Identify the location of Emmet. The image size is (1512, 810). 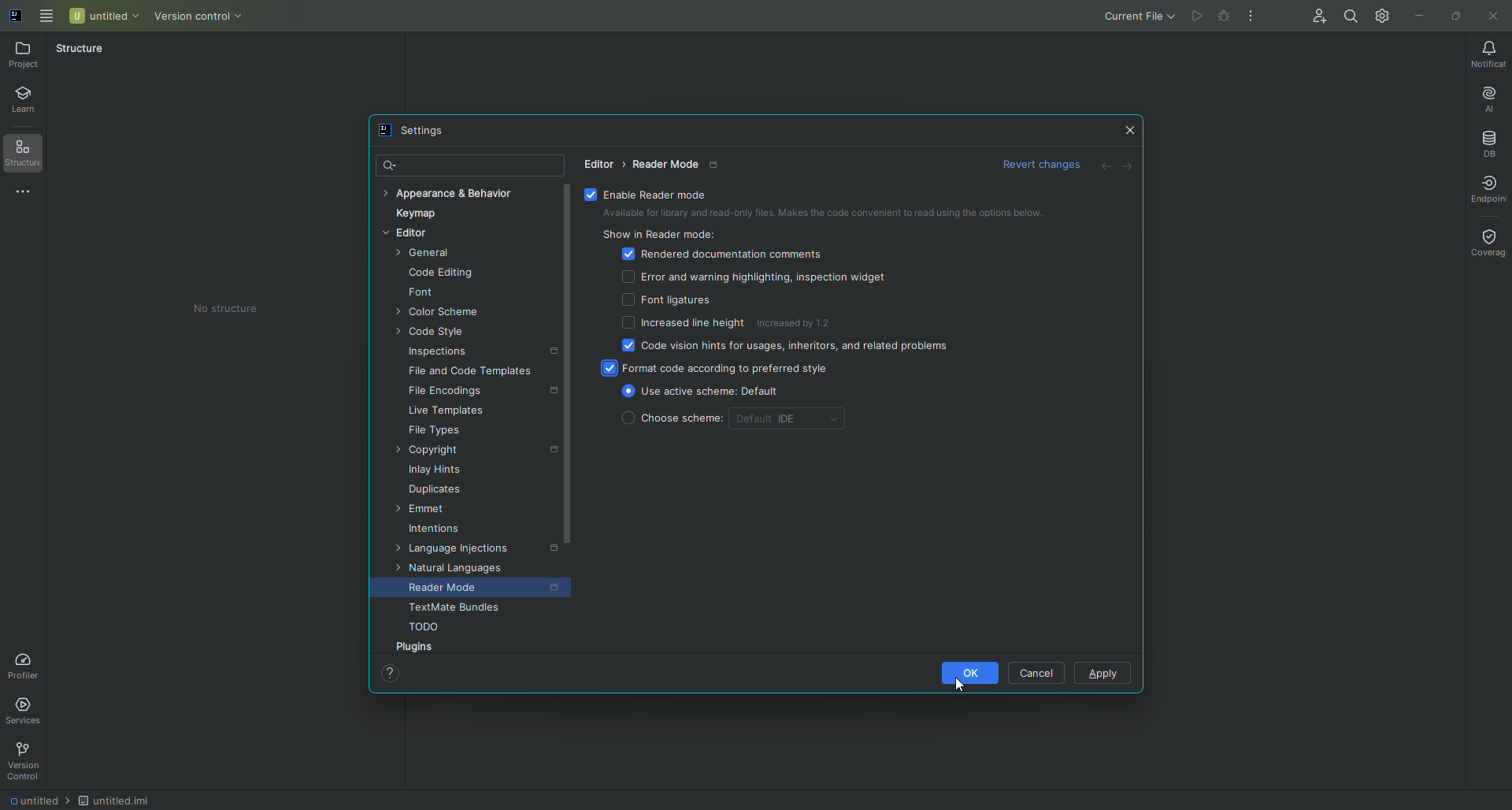
(423, 511).